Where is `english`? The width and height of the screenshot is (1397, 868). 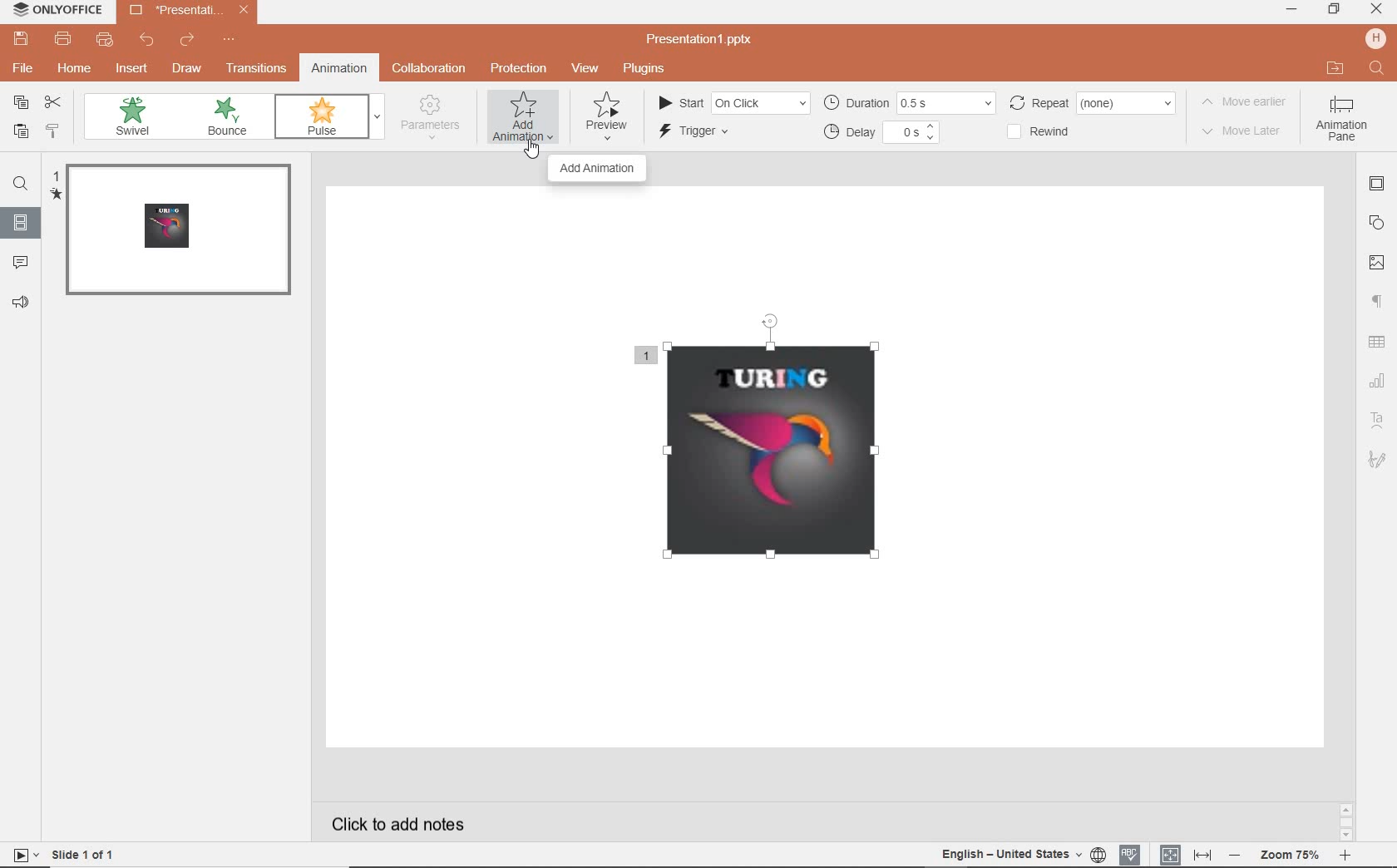
english is located at coordinates (1005, 855).